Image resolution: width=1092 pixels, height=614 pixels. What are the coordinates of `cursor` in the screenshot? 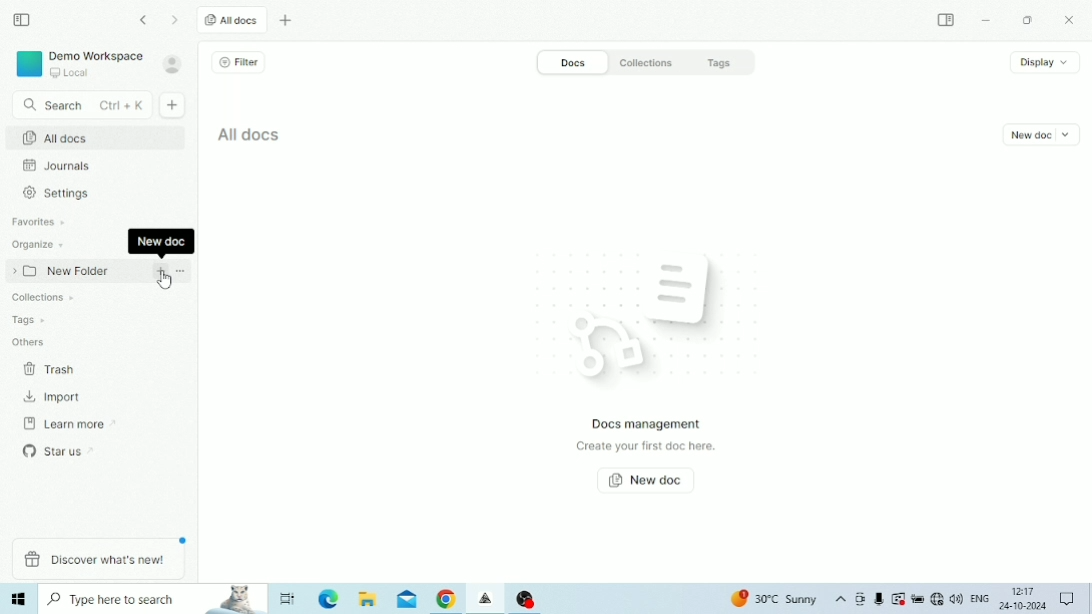 It's located at (165, 283).